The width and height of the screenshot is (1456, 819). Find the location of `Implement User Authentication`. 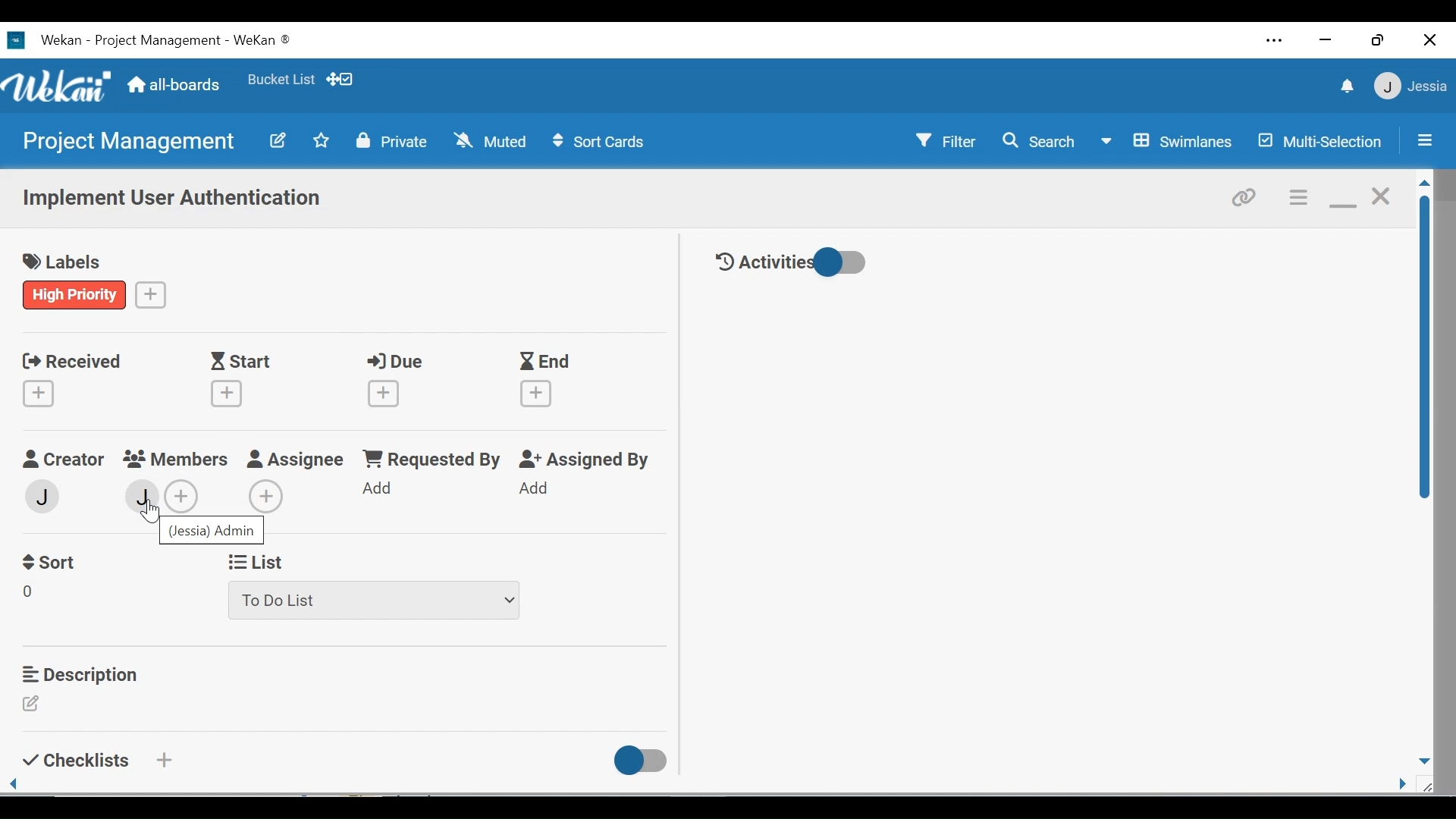

Implement User Authentication is located at coordinates (170, 201).